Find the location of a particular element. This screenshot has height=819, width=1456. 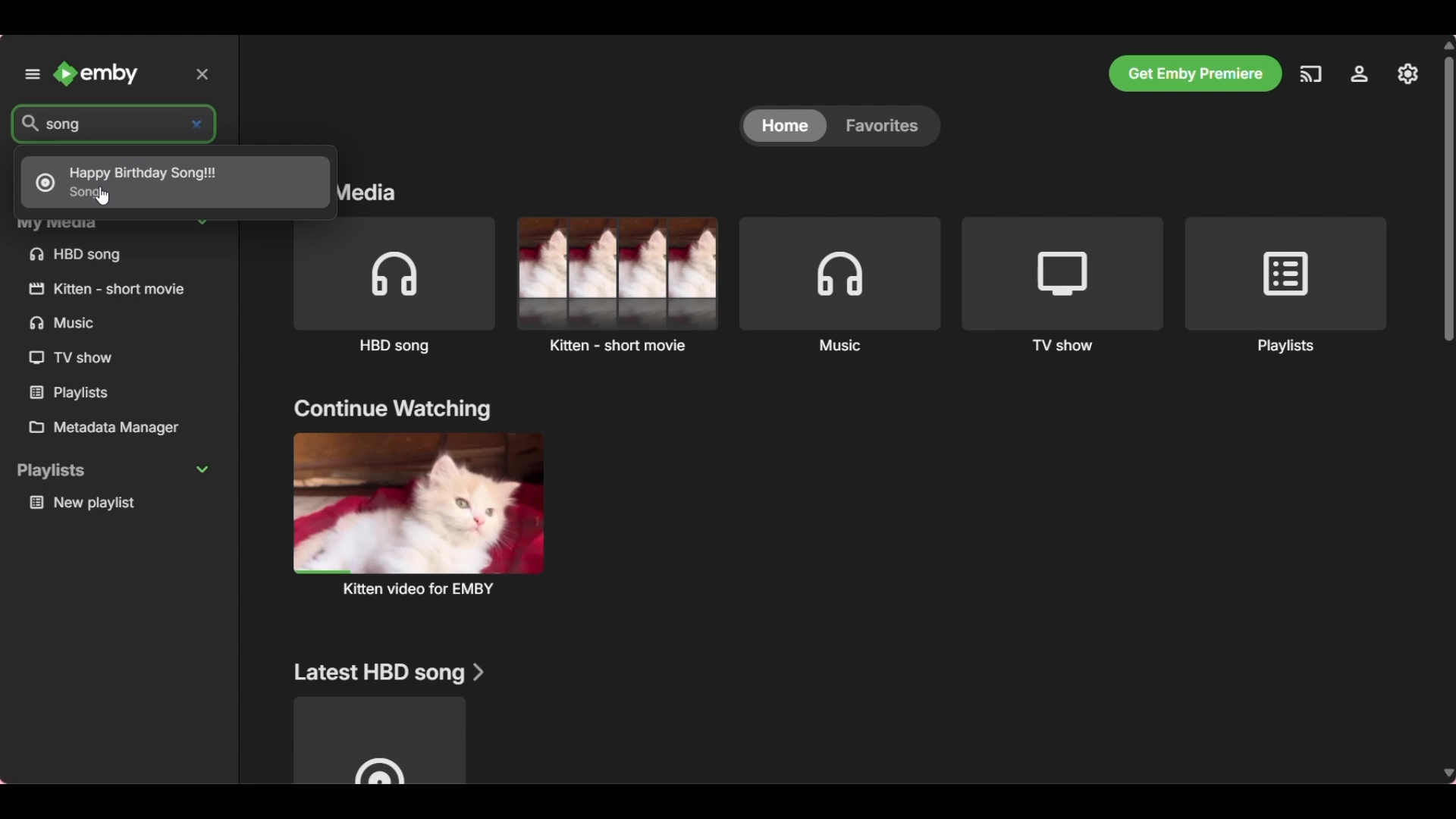

Play on another device is located at coordinates (1310, 78).